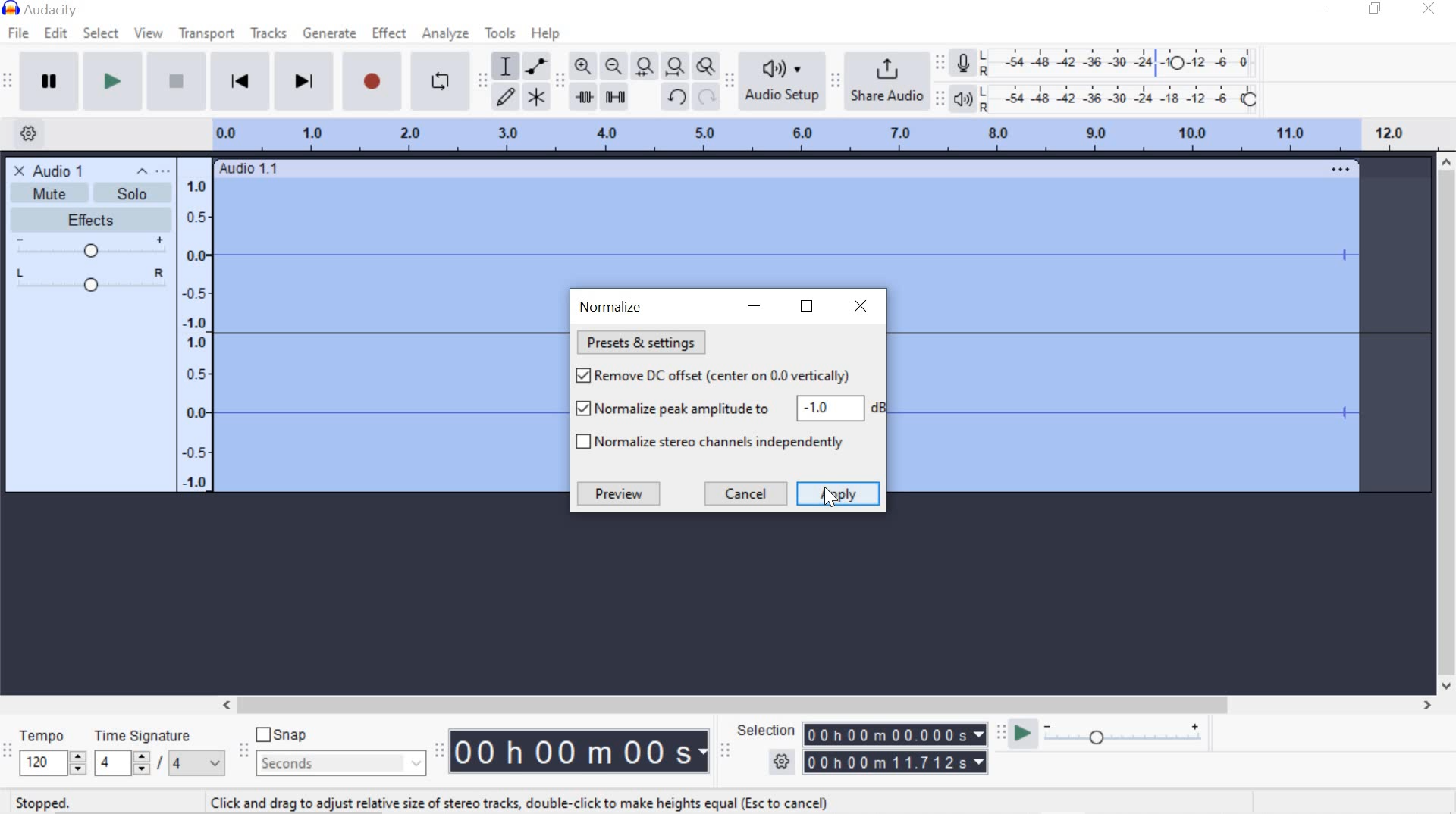 The image size is (1456, 814). What do you see at coordinates (1323, 11) in the screenshot?
I see `minimize` at bounding box center [1323, 11].